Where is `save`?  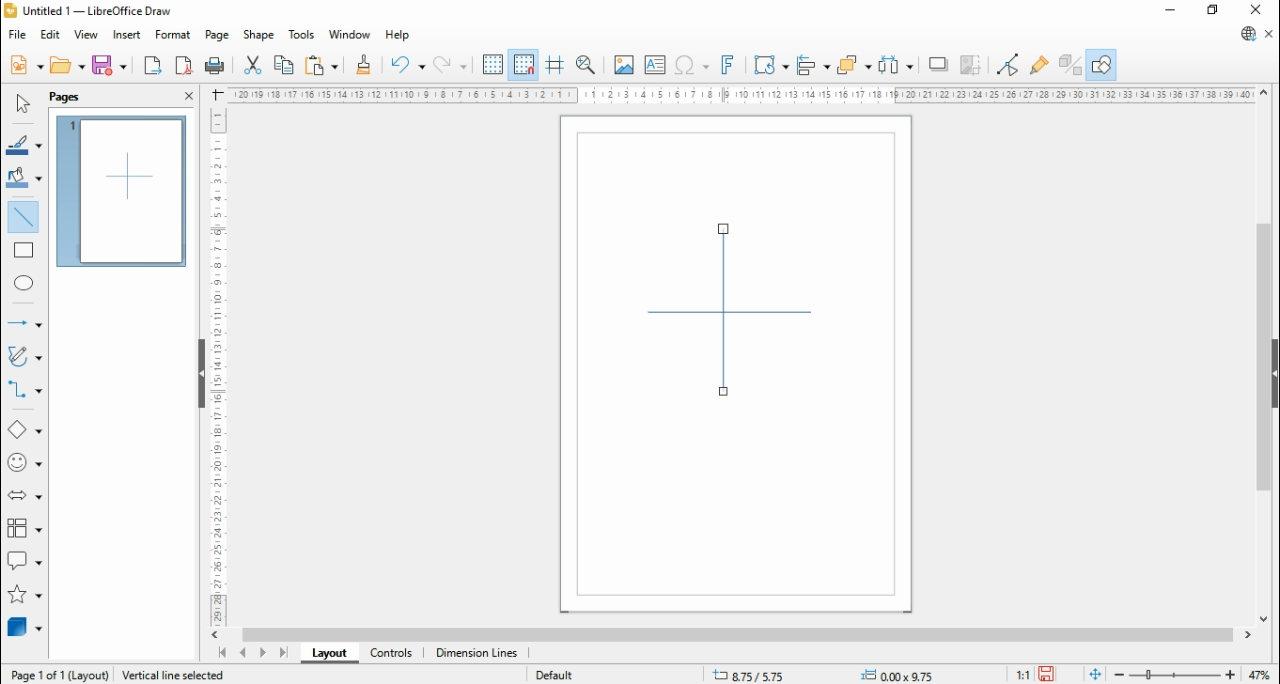 save is located at coordinates (1047, 674).